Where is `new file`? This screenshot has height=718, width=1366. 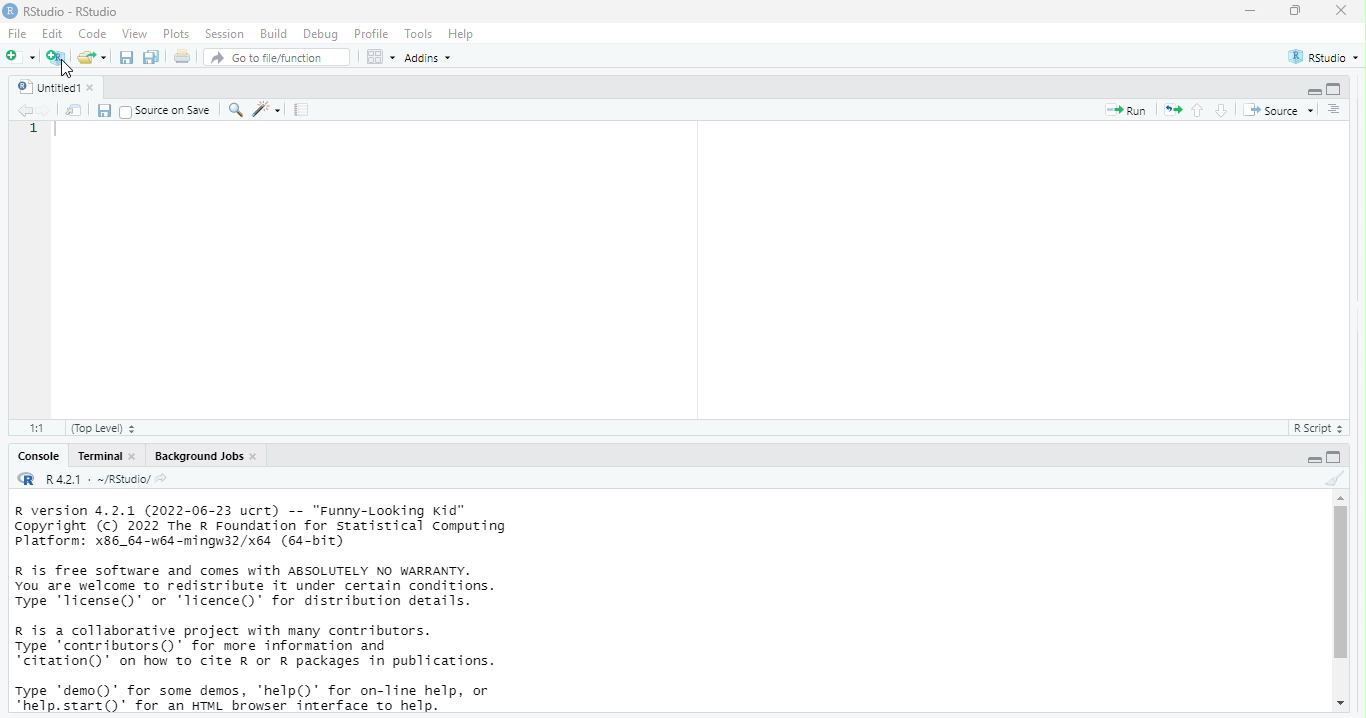 new file is located at coordinates (19, 56).